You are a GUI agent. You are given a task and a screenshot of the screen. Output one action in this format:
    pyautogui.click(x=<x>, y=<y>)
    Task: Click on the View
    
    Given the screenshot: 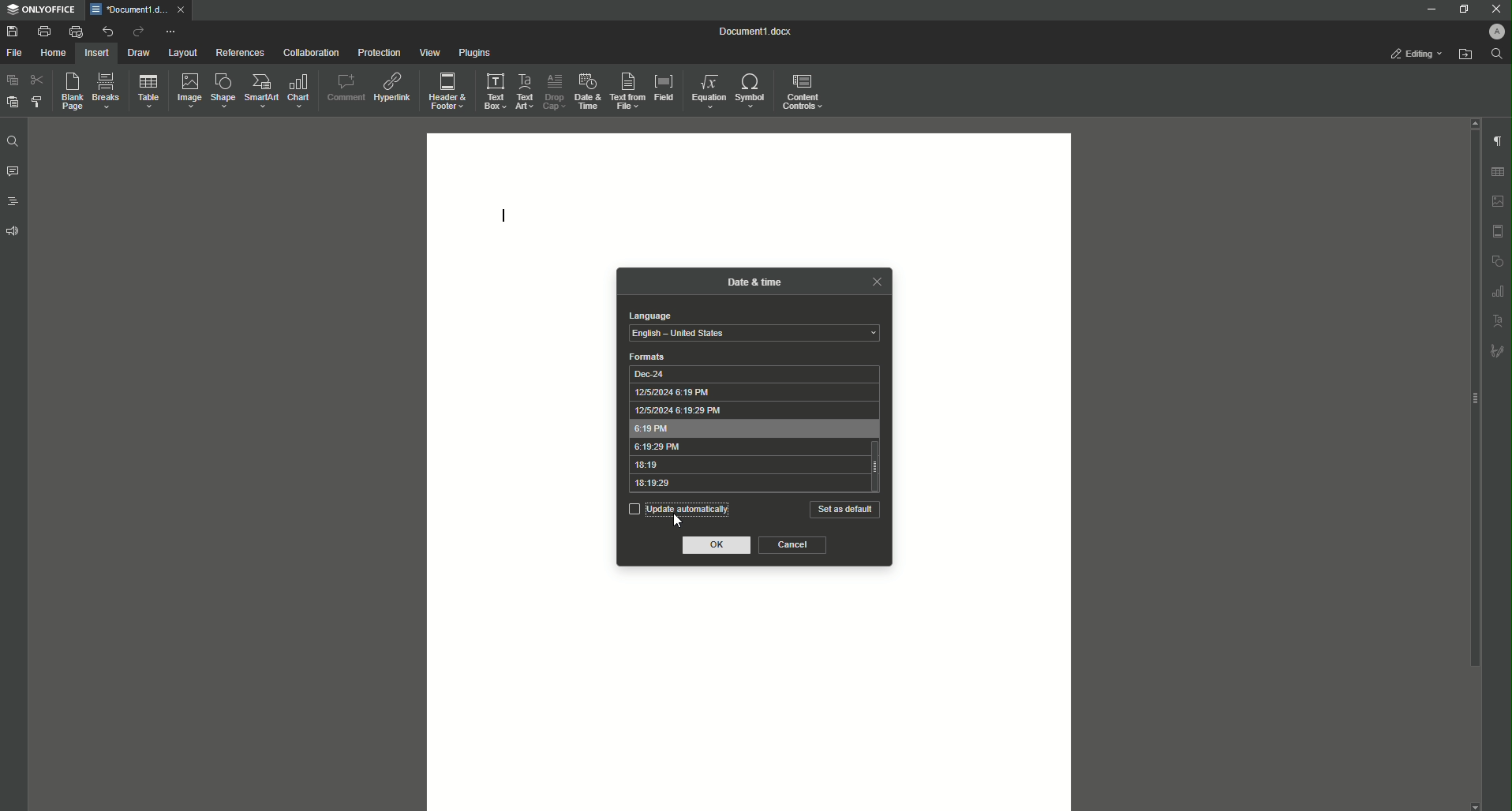 What is the action you would take?
    pyautogui.click(x=425, y=52)
    